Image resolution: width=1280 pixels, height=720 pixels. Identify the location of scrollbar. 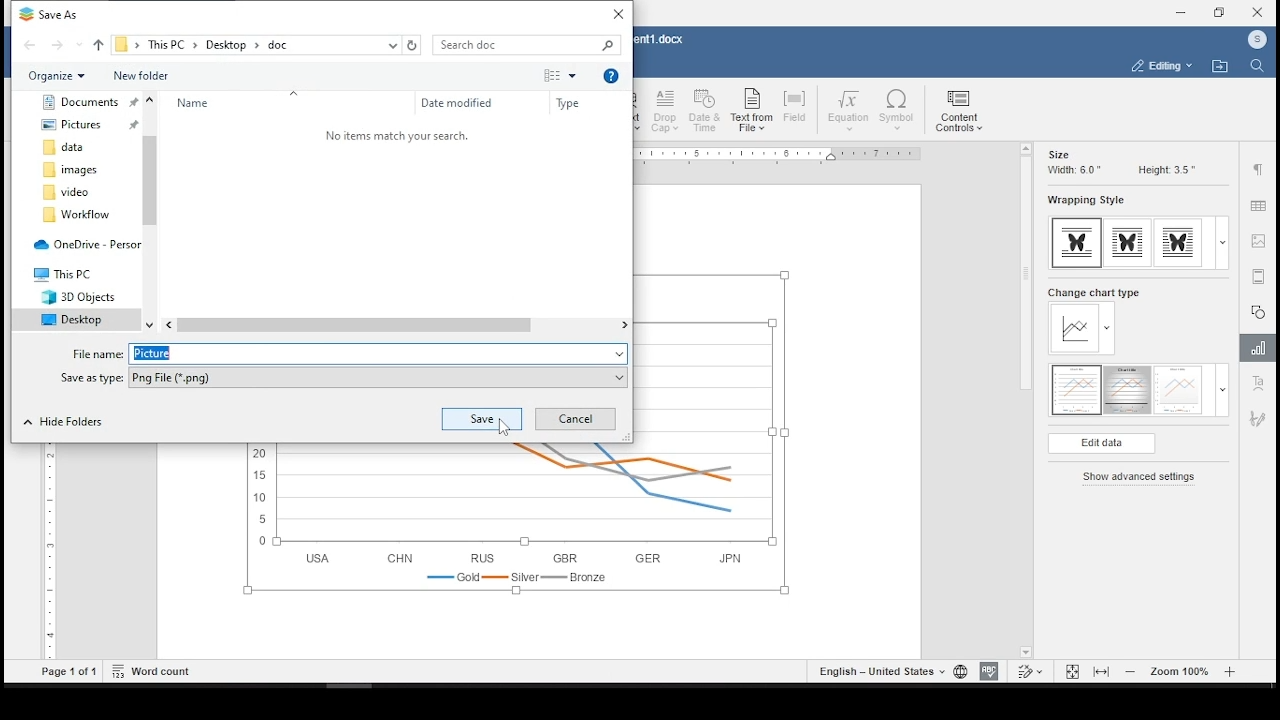
(48, 551).